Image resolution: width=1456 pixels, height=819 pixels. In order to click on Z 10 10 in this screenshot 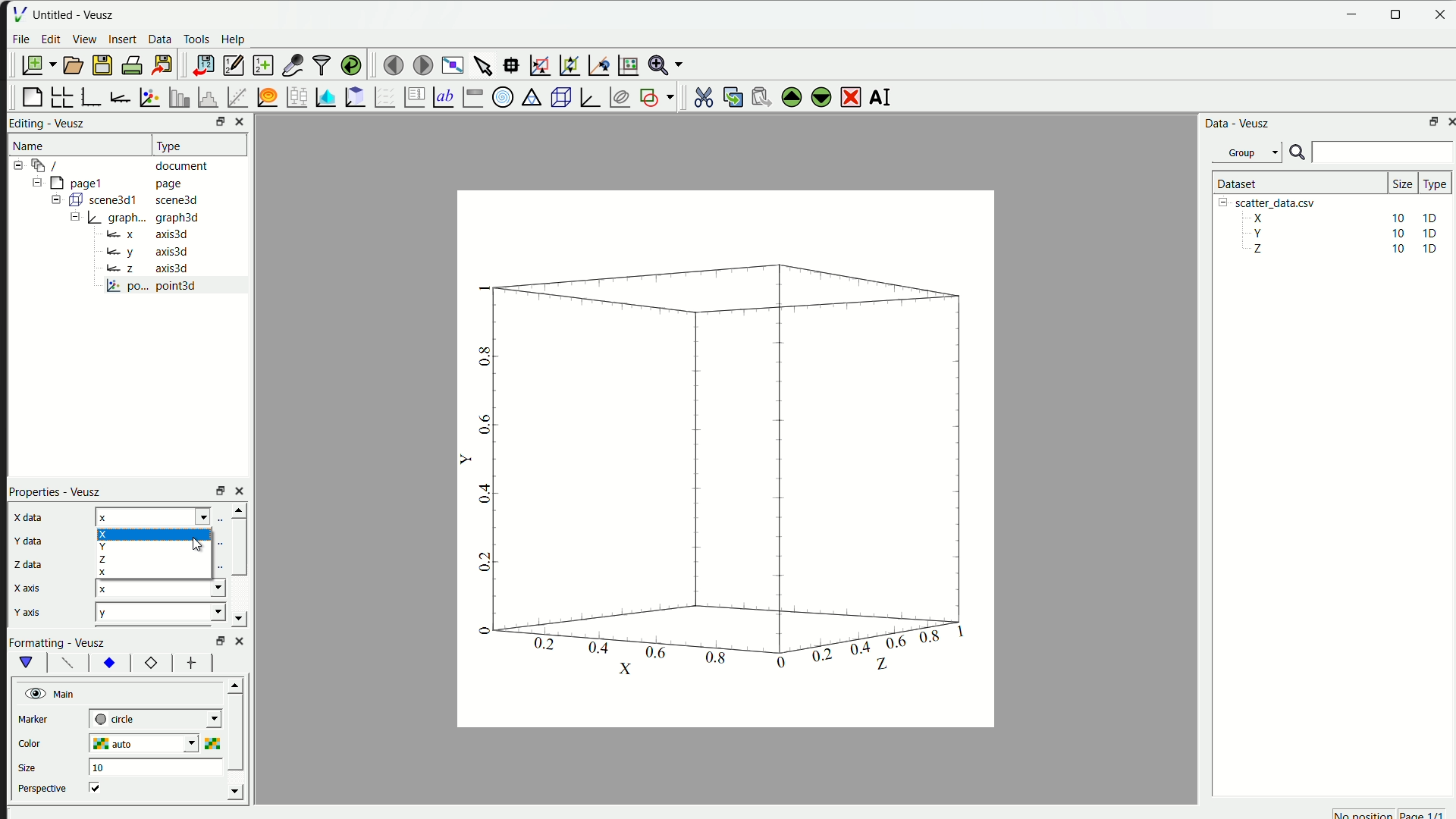, I will do `click(1341, 250)`.